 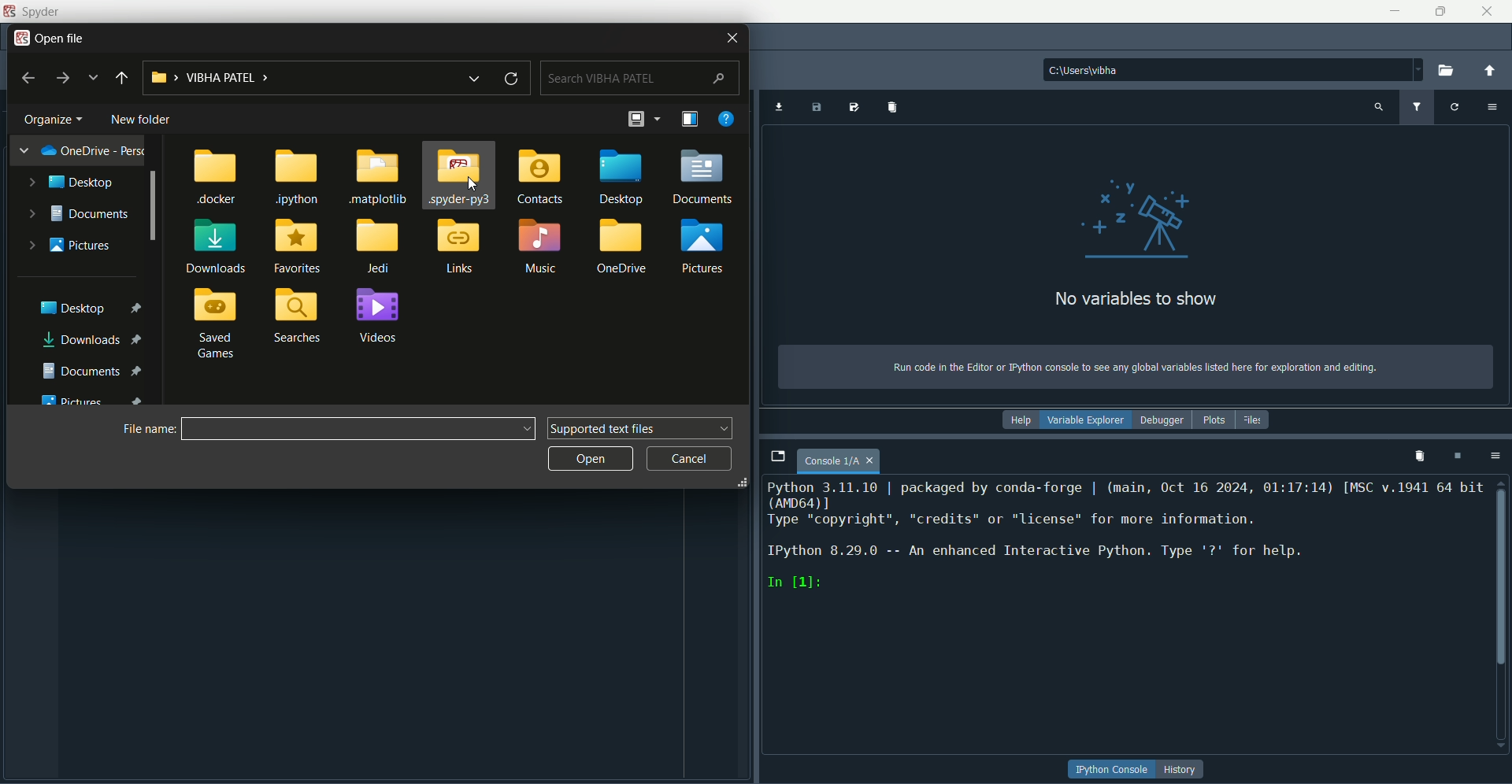 What do you see at coordinates (543, 176) in the screenshot?
I see `folder` at bounding box center [543, 176].